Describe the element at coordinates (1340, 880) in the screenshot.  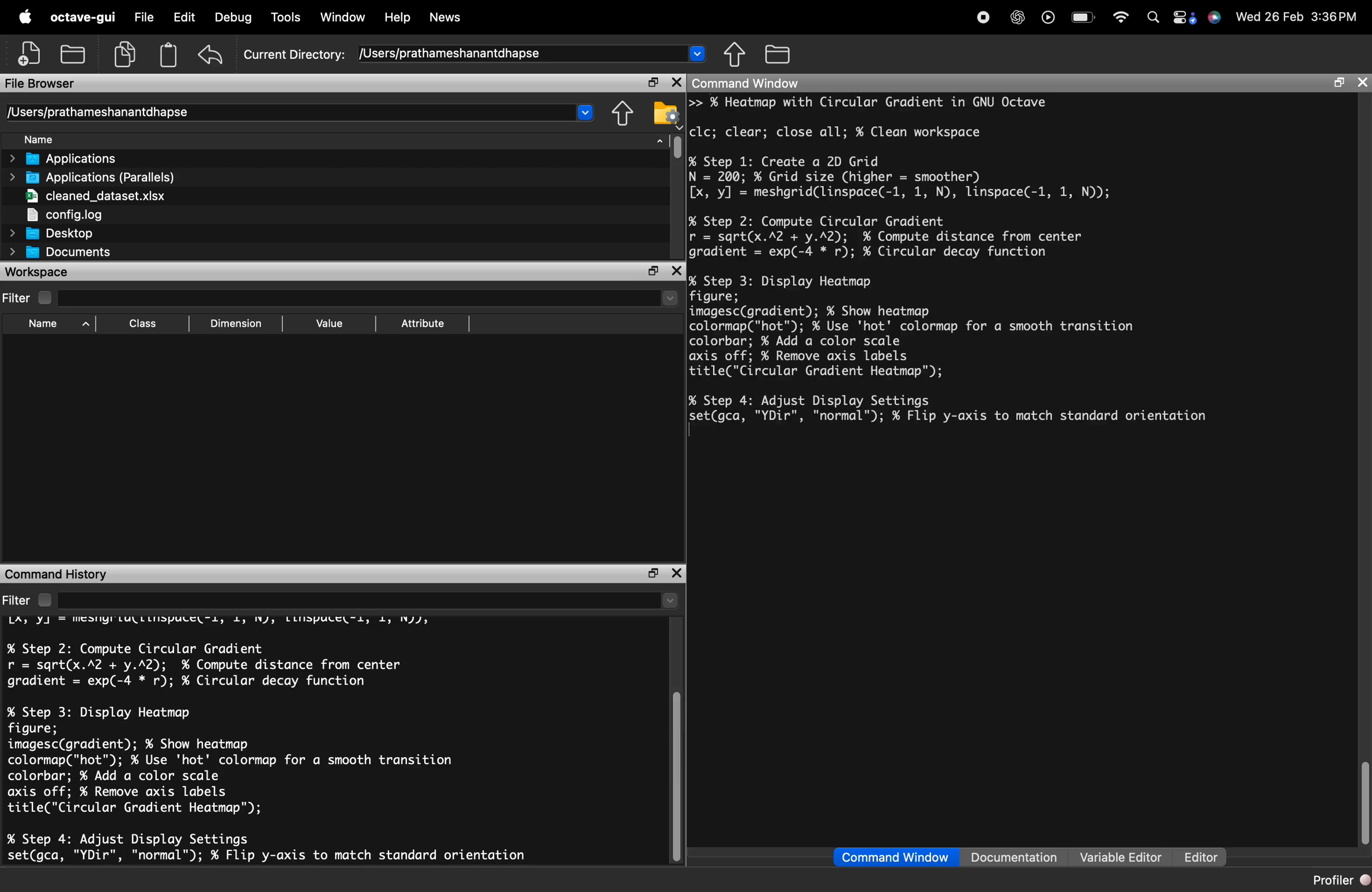
I see `Profiler` at that location.